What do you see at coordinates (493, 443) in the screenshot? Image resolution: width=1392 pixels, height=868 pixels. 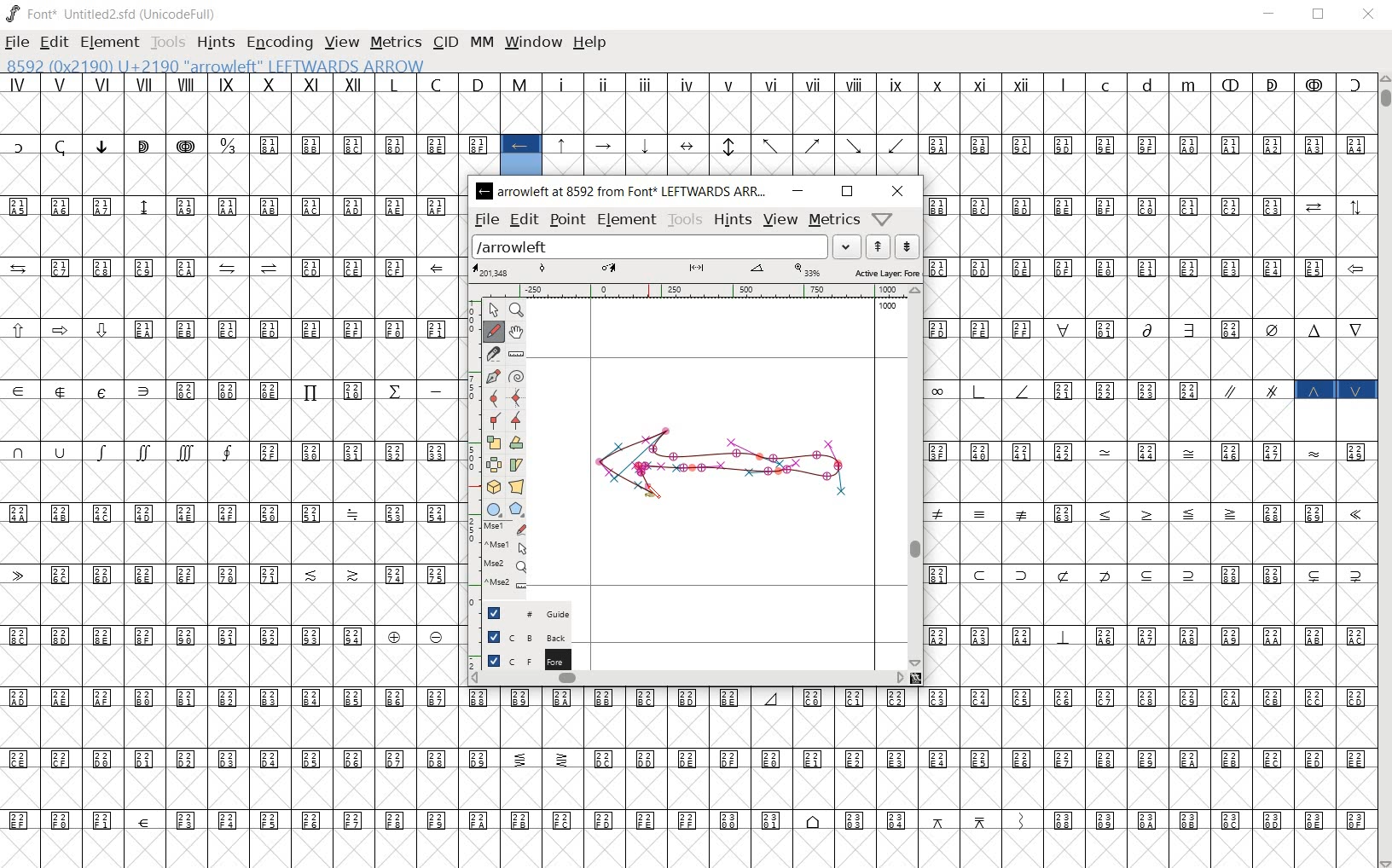 I see `scale the selection` at bounding box center [493, 443].